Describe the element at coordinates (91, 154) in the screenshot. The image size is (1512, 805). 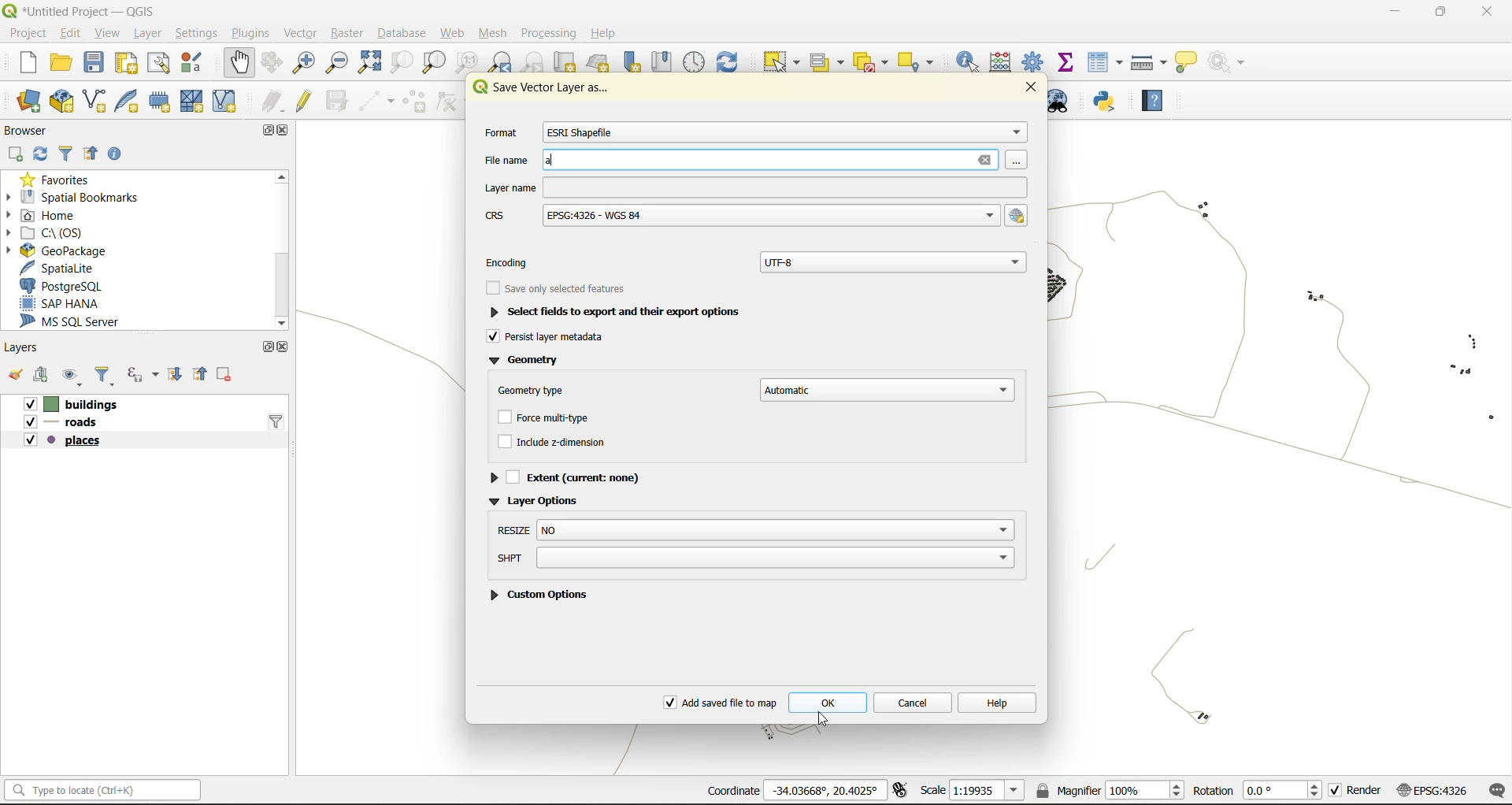
I see `collapse all` at that location.